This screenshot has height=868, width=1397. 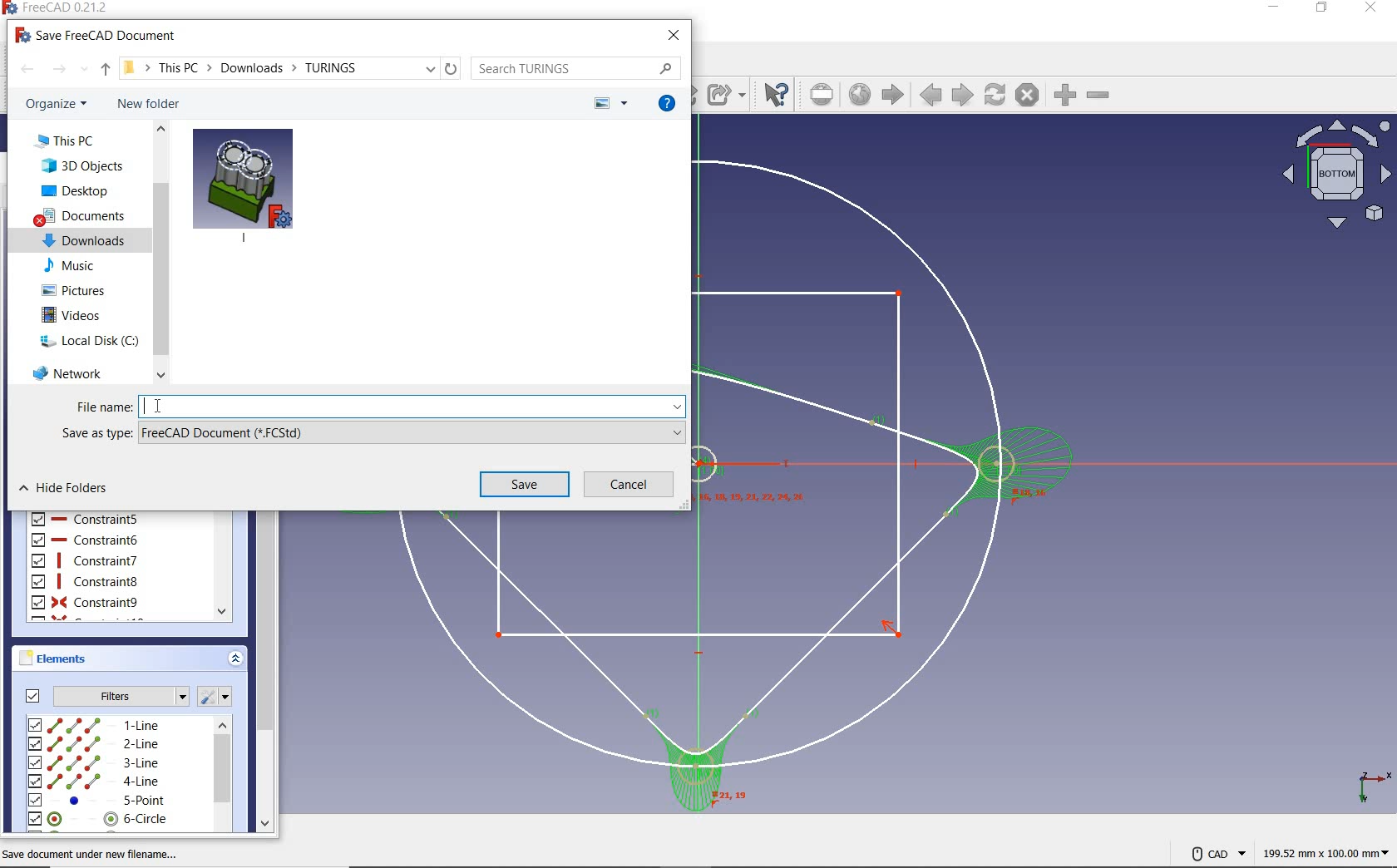 What do you see at coordinates (99, 819) in the screenshot?
I see `6-circle` at bounding box center [99, 819].